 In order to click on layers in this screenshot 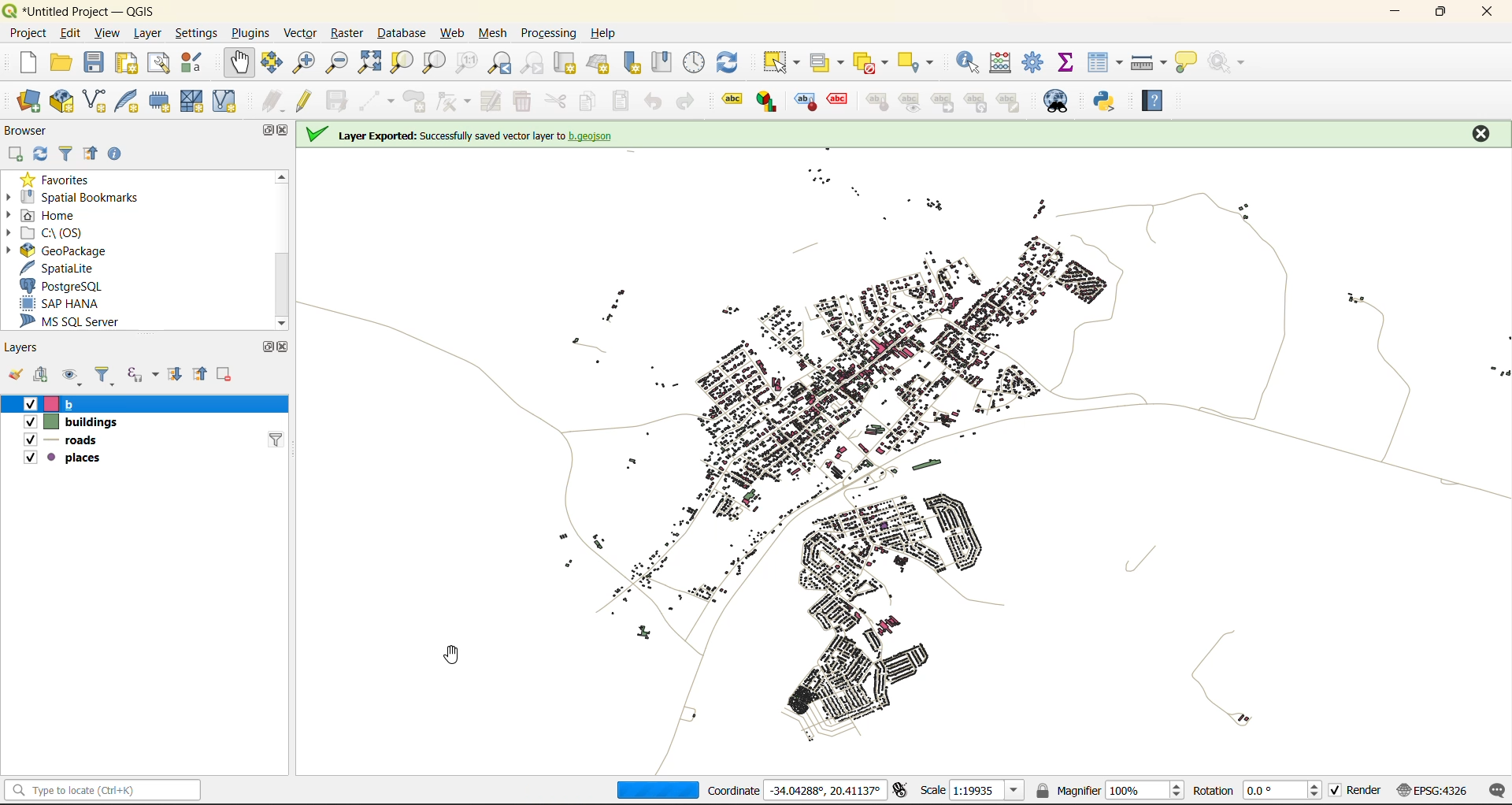, I will do `click(22, 347)`.